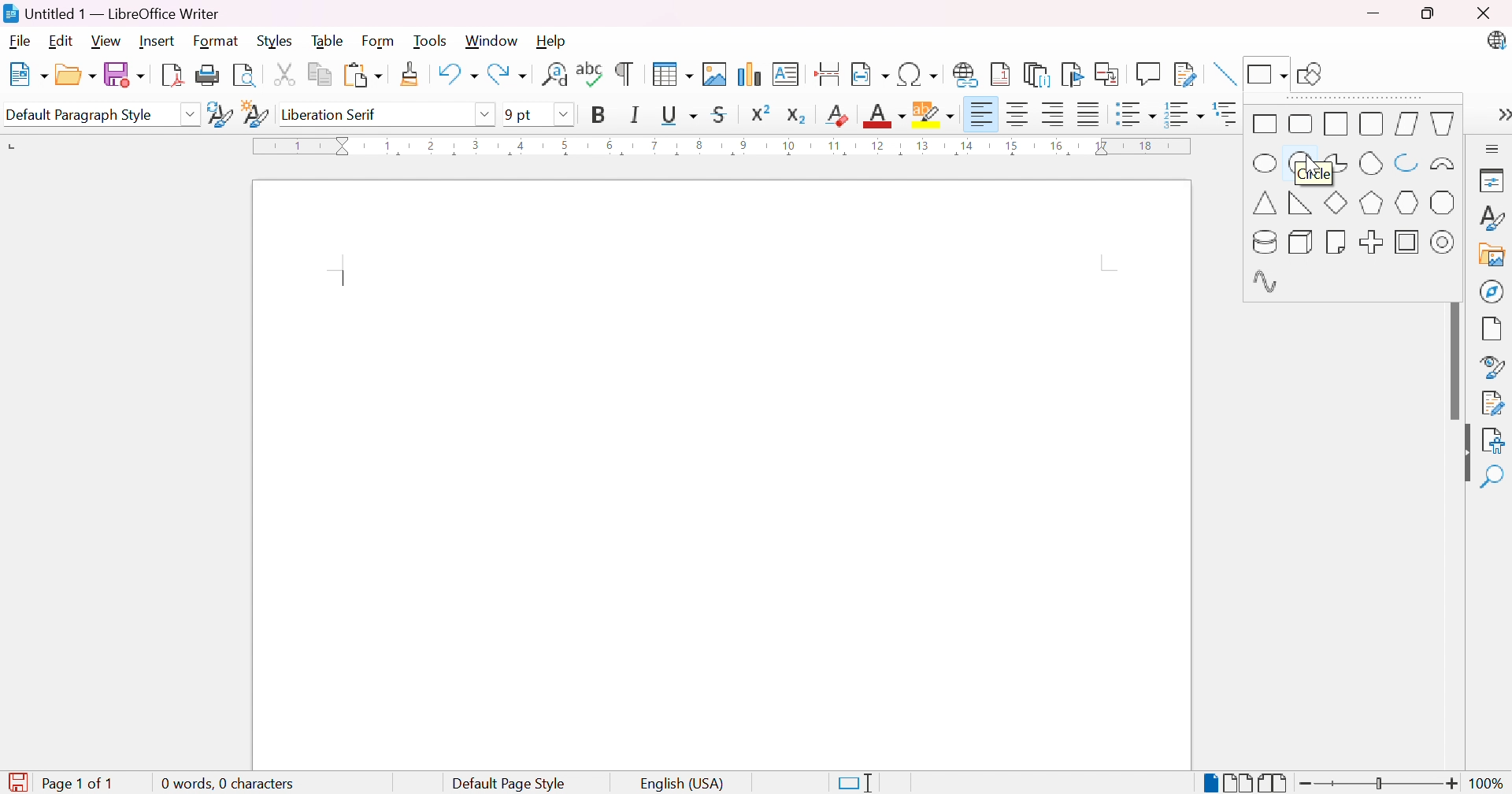 Image resolution: width=1512 pixels, height=794 pixels. I want to click on Ellipse, so click(1266, 165).